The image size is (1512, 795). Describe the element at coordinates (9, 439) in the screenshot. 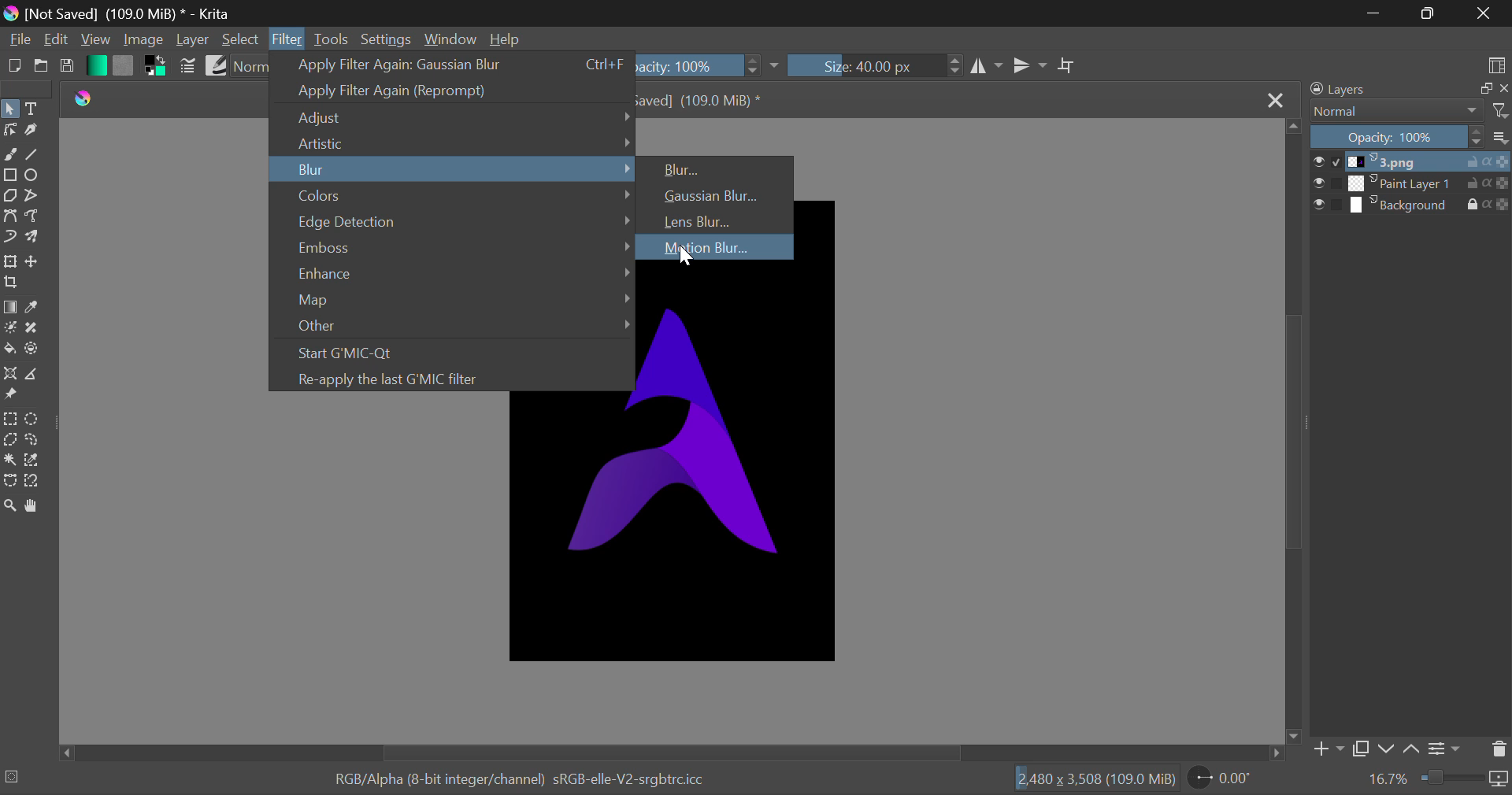

I see `Polygon Selection Tool` at that location.